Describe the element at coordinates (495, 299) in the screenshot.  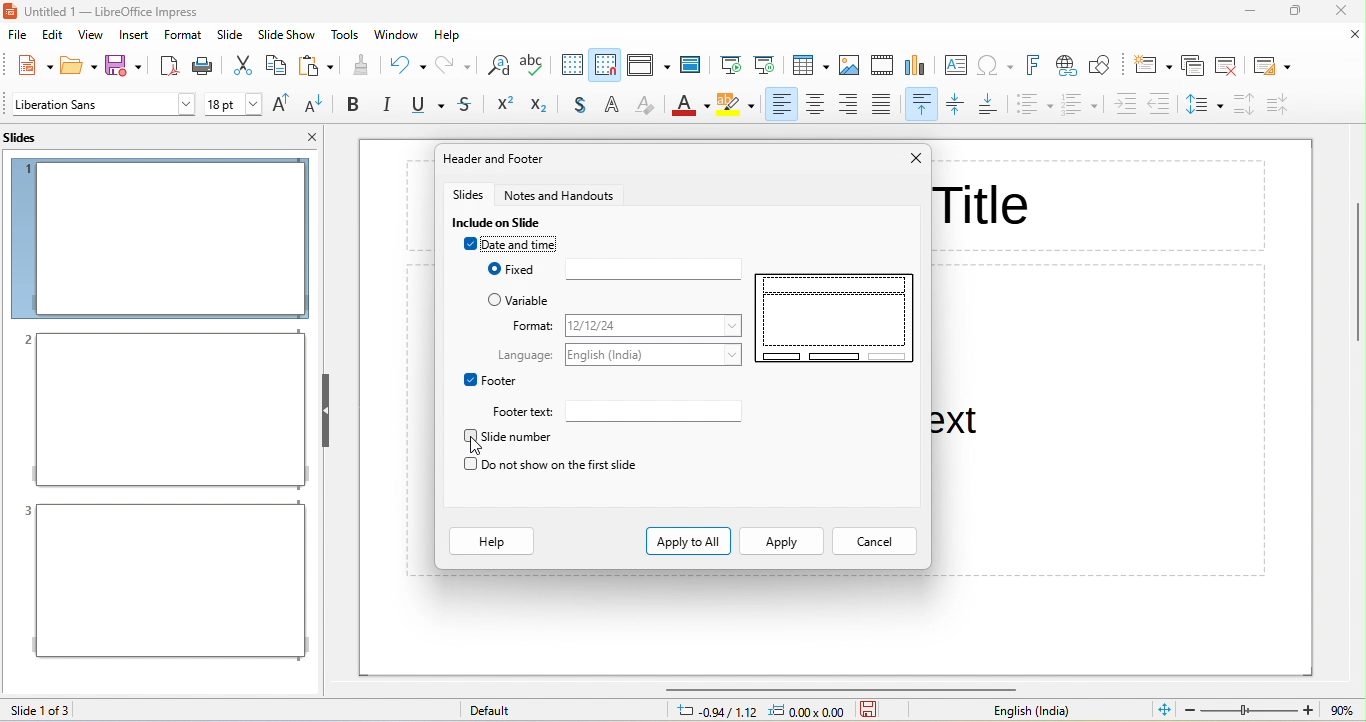
I see `Checkbox` at that location.